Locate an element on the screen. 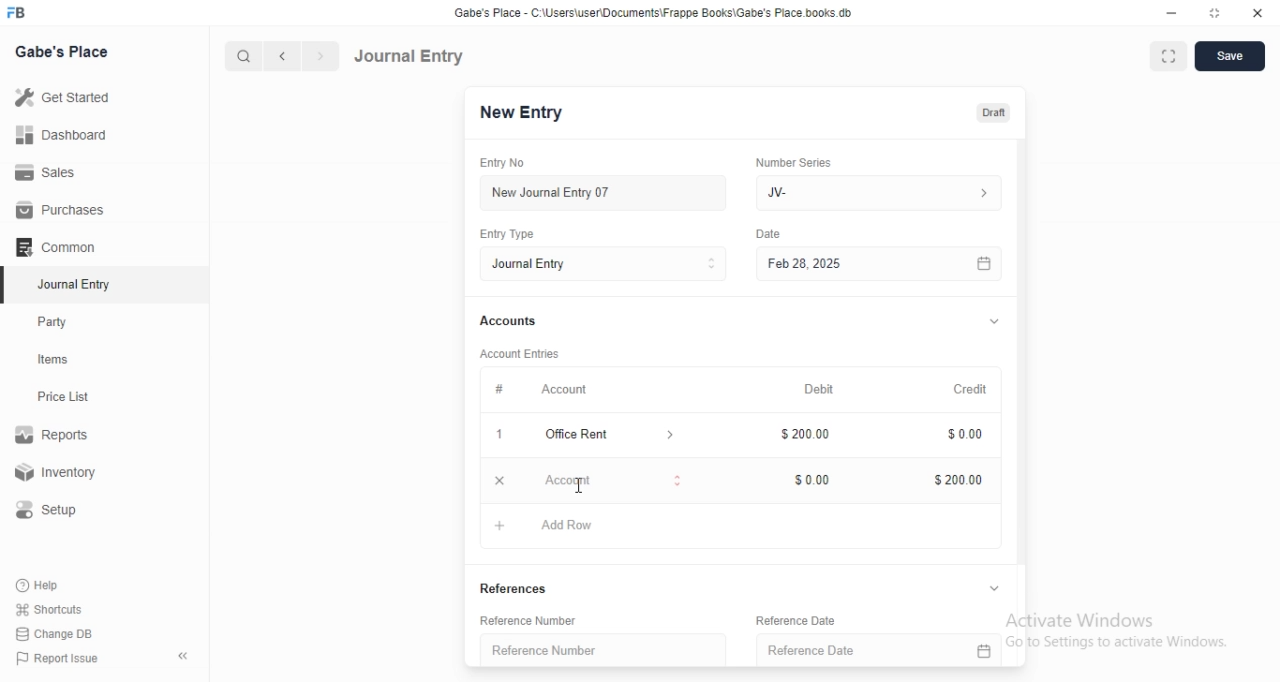 The image size is (1280, 682). Purchases is located at coordinates (61, 210).